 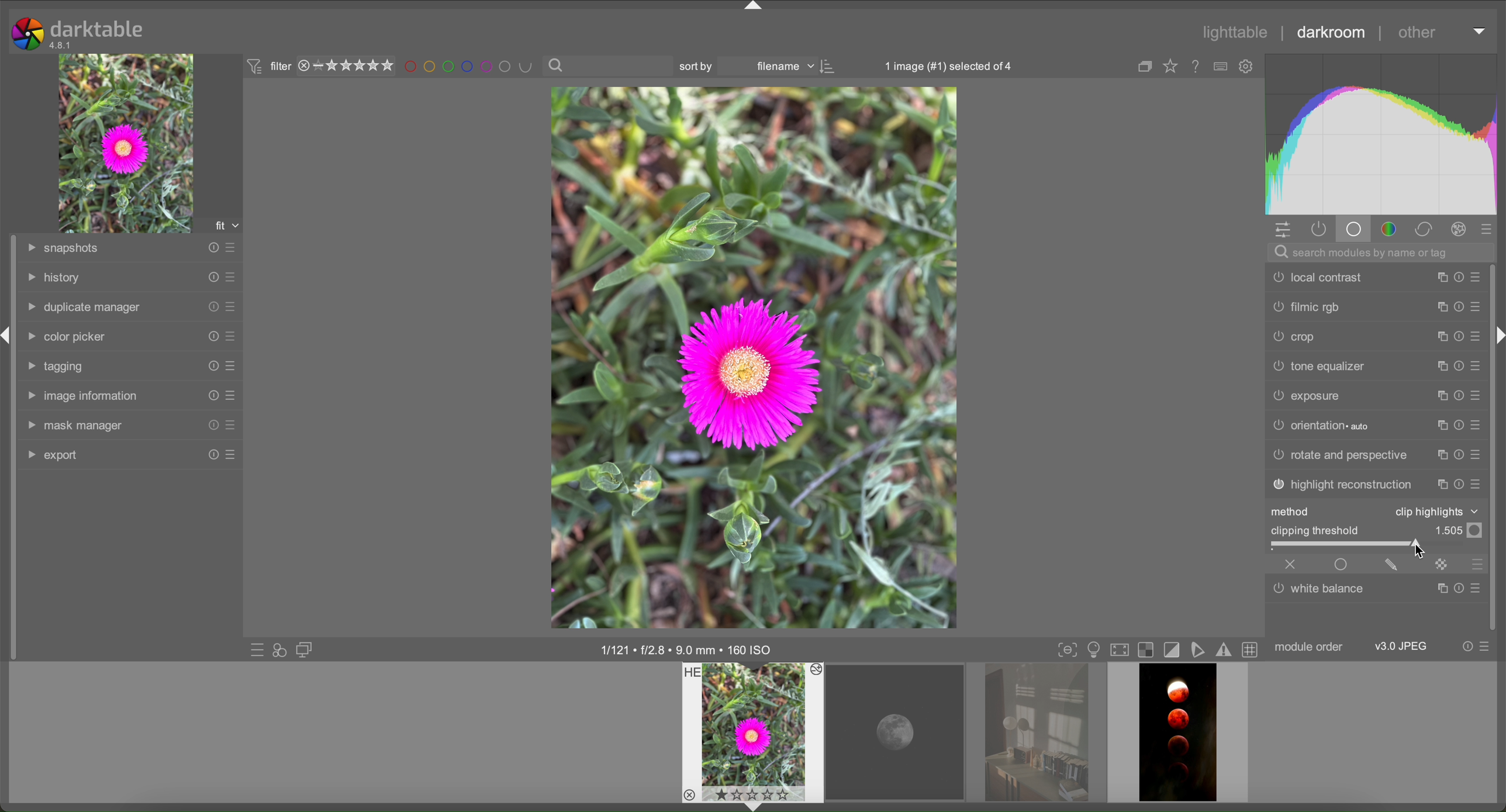 I want to click on type of overlays, so click(x=1222, y=67).